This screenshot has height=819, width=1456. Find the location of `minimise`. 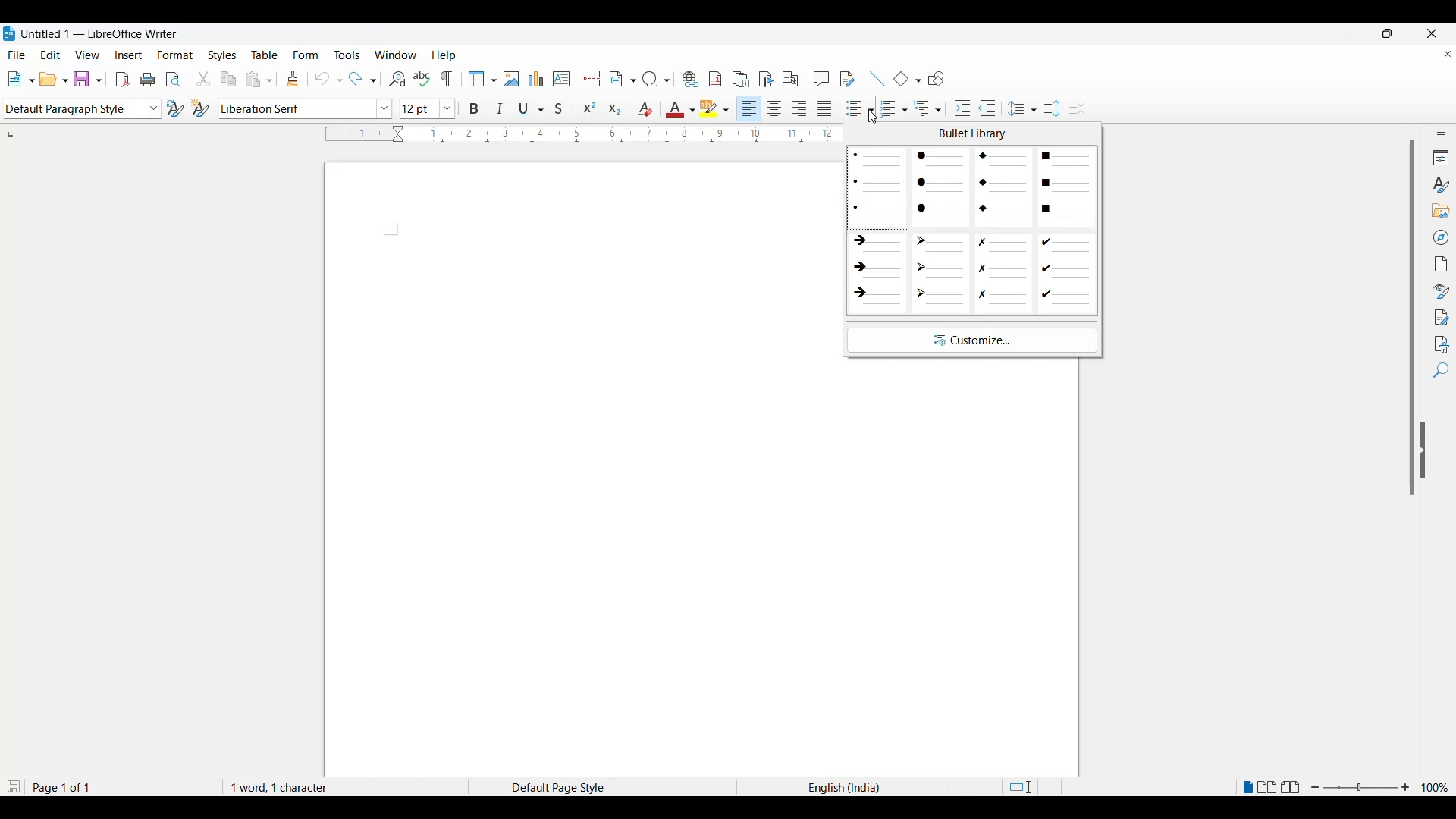

minimise is located at coordinates (1350, 33).